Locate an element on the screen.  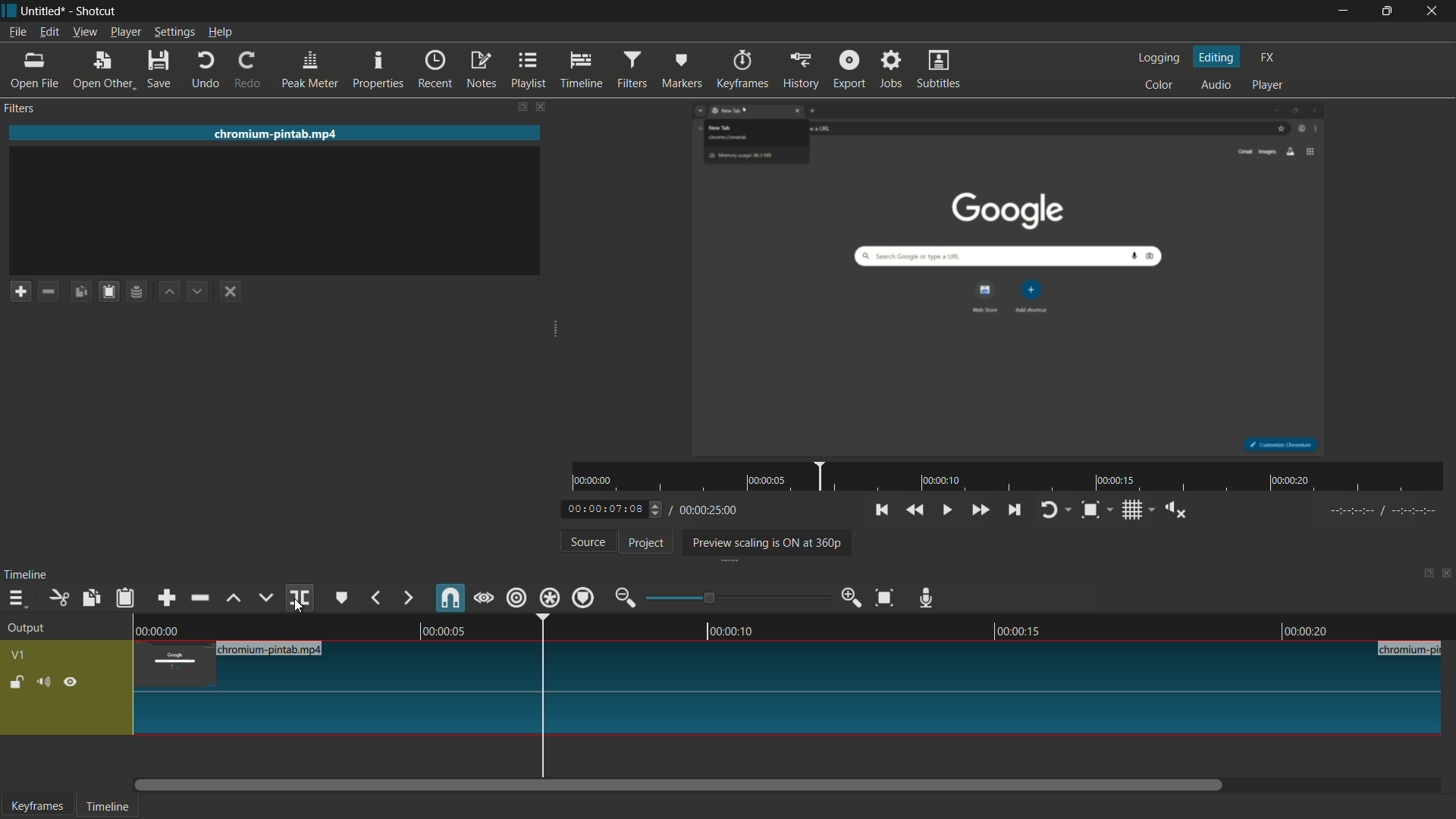
deselect a filter is located at coordinates (230, 291).